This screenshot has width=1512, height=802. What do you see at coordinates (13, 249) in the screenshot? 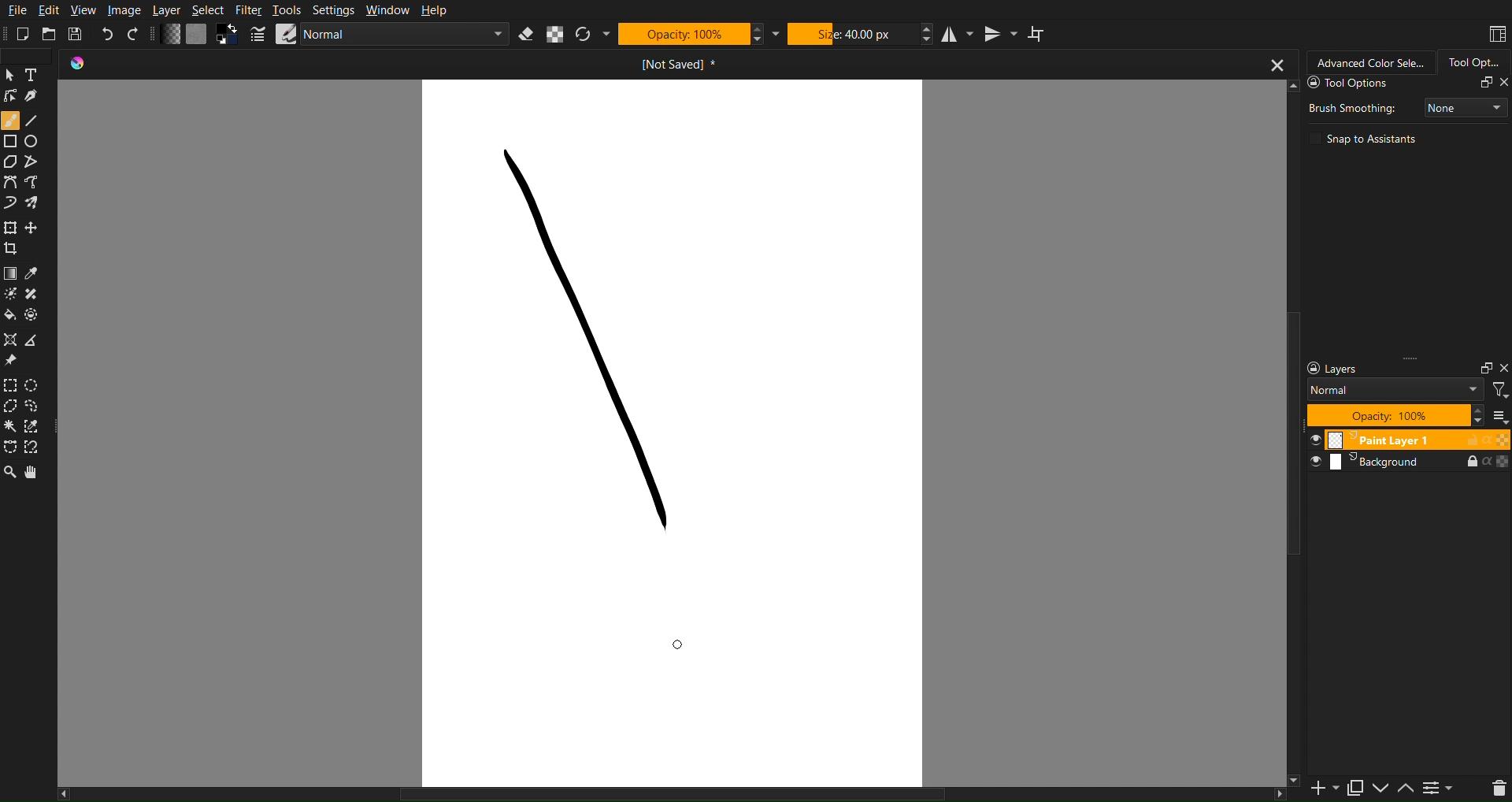
I see `Crop` at bounding box center [13, 249].